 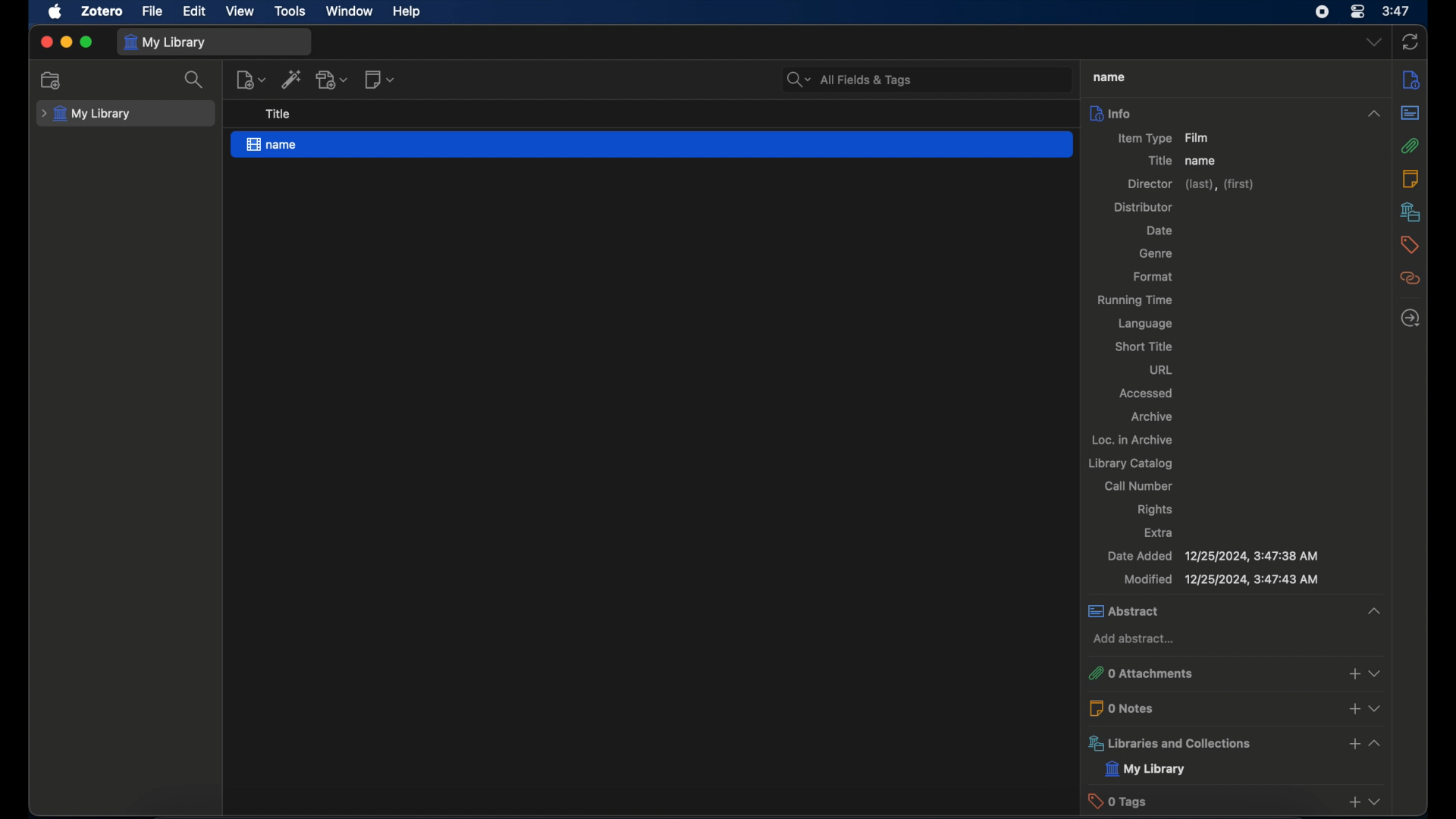 What do you see at coordinates (1201, 162) in the screenshot?
I see `name` at bounding box center [1201, 162].